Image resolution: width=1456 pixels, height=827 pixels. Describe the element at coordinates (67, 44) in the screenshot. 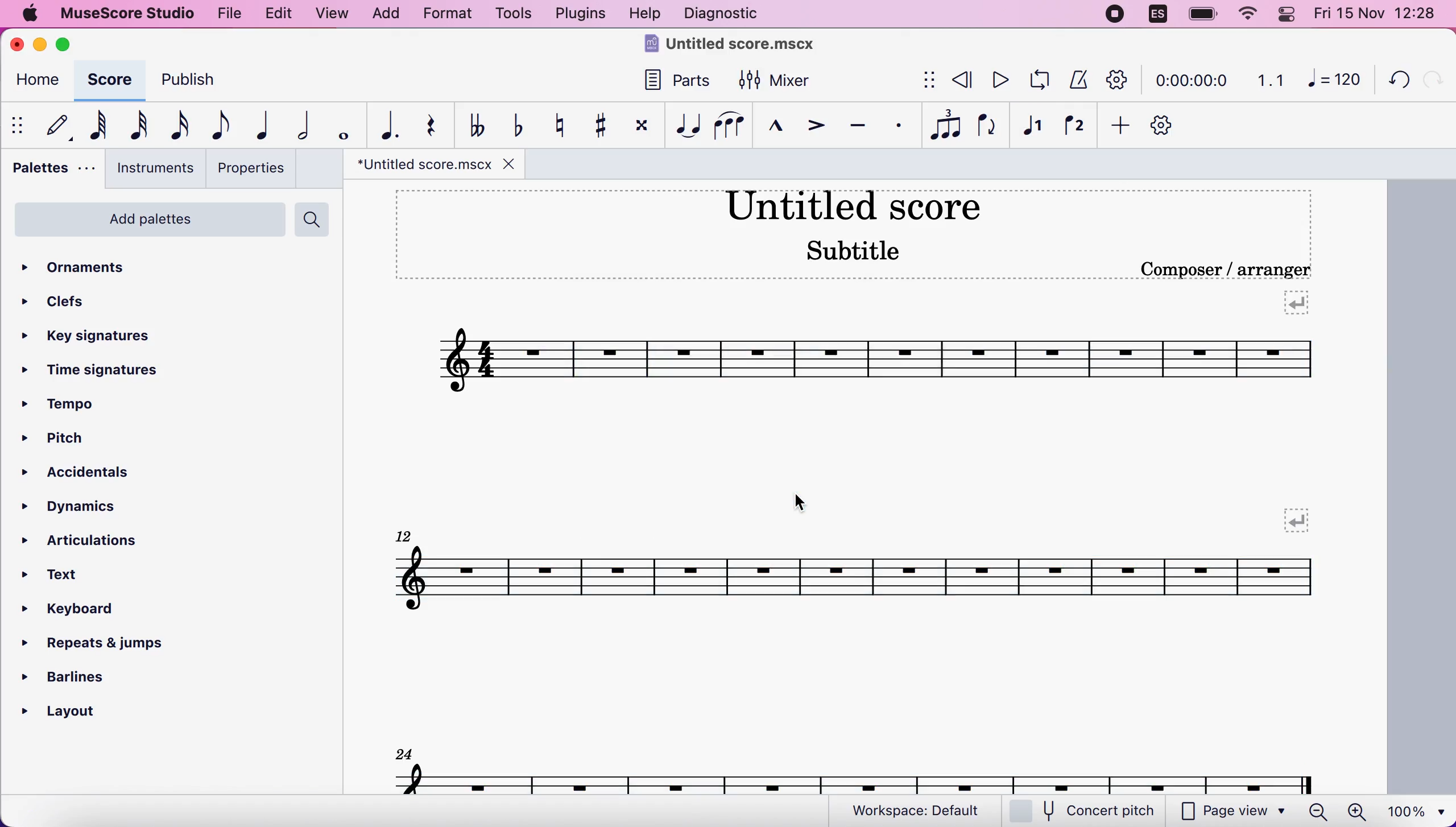

I see `maximize` at that location.